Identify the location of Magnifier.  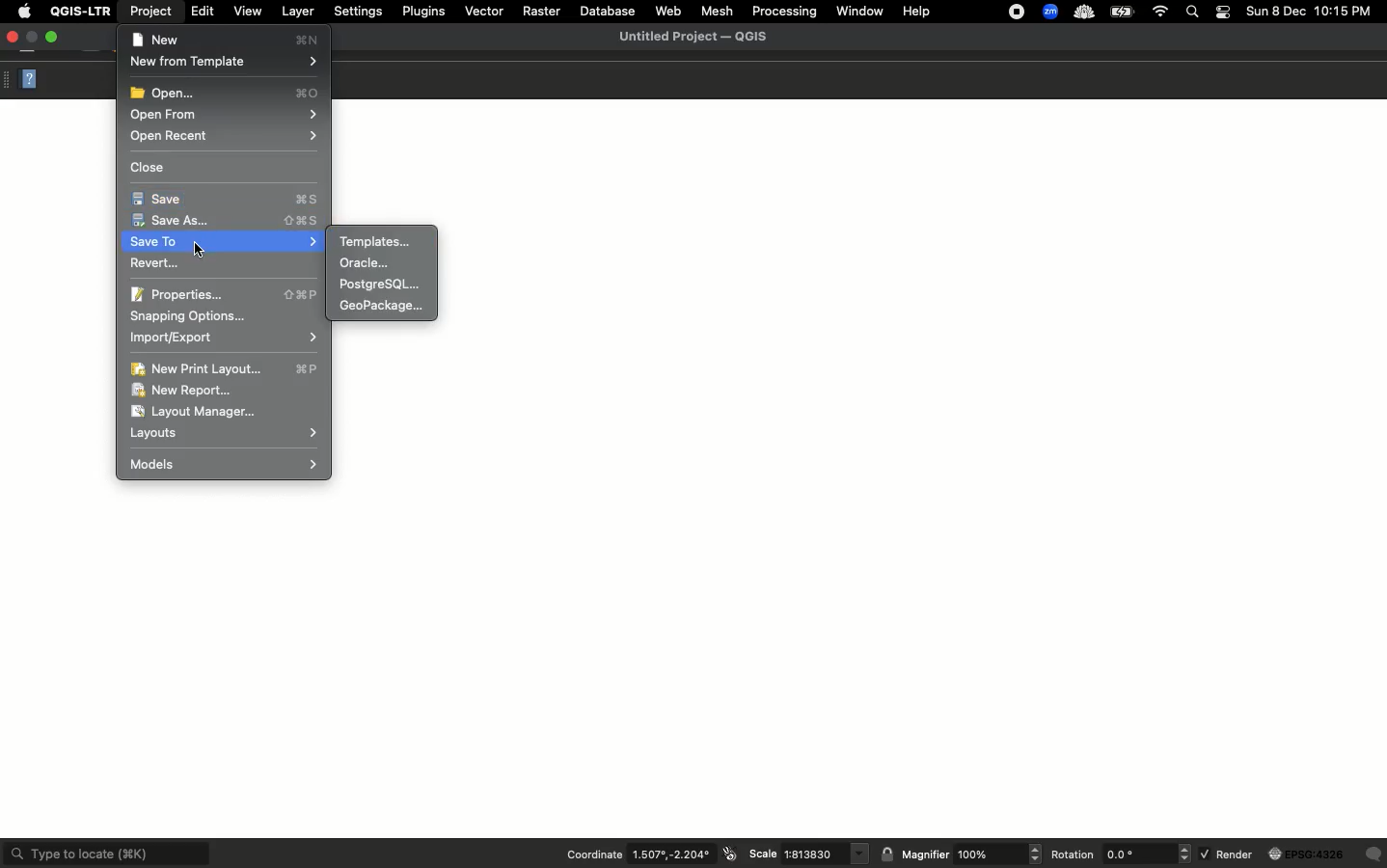
(925, 855).